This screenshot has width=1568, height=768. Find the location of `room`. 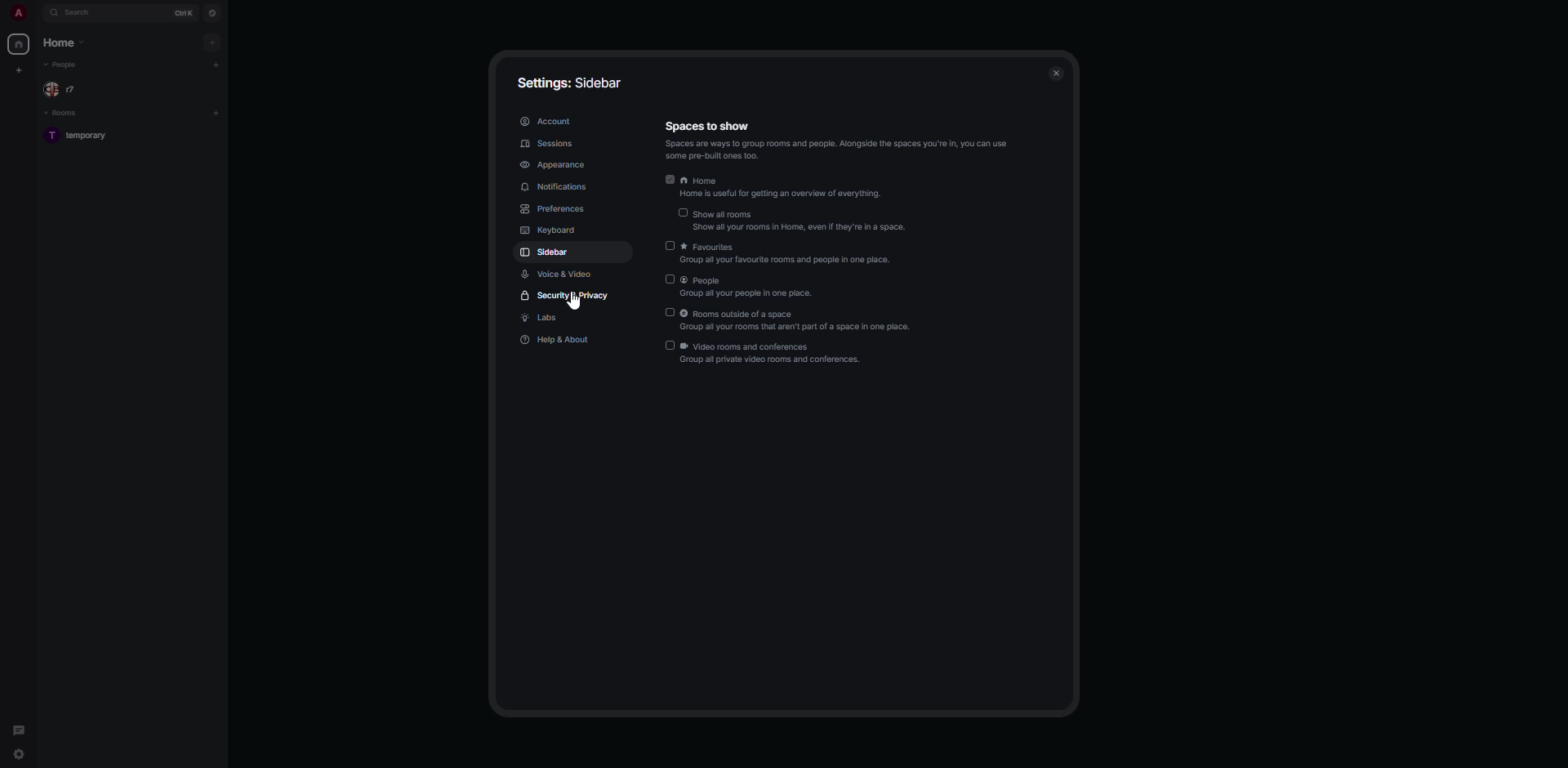

room is located at coordinates (81, 136).